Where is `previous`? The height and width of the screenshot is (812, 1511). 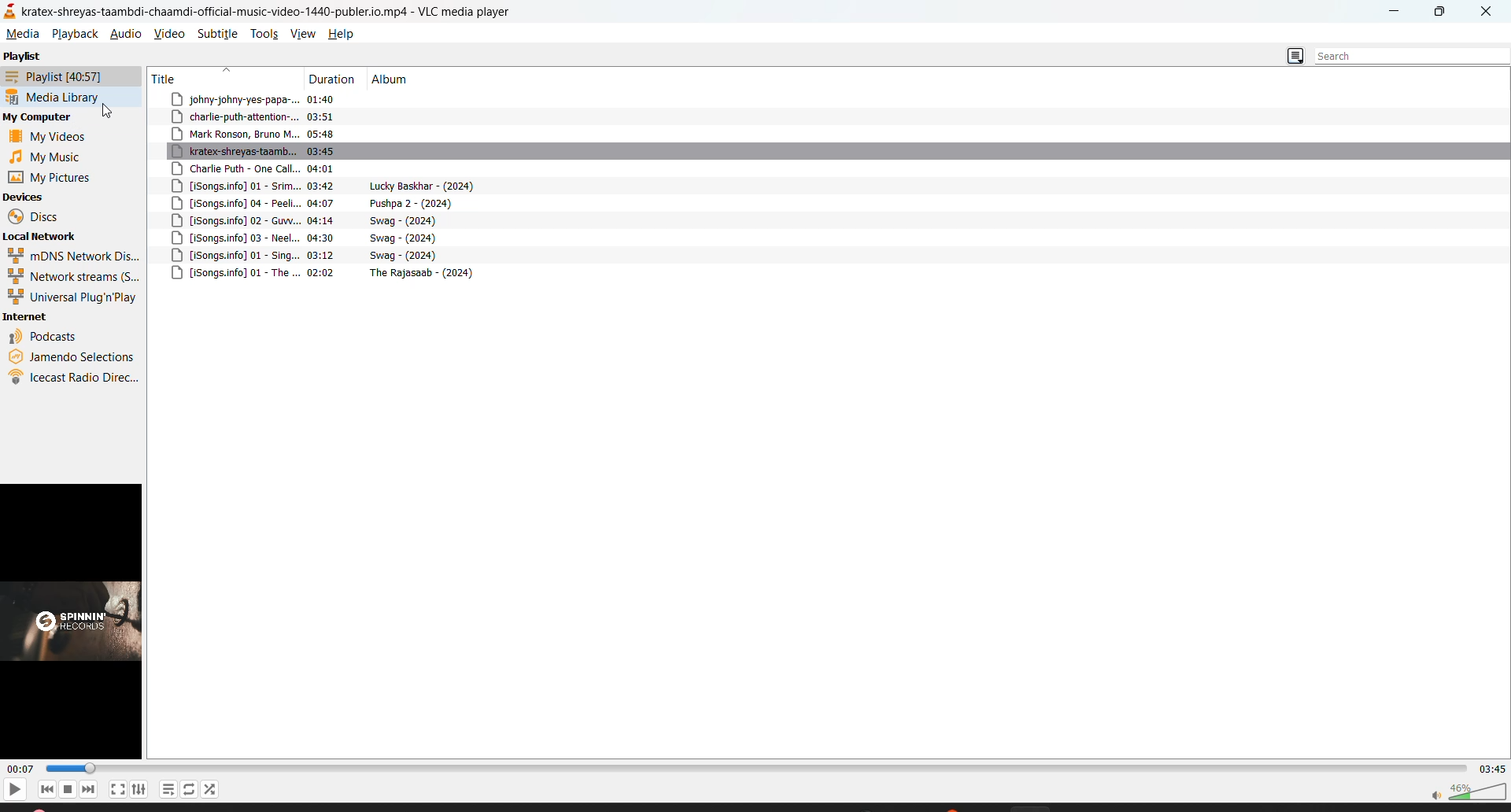 previous is located at coordinates (45, 789).